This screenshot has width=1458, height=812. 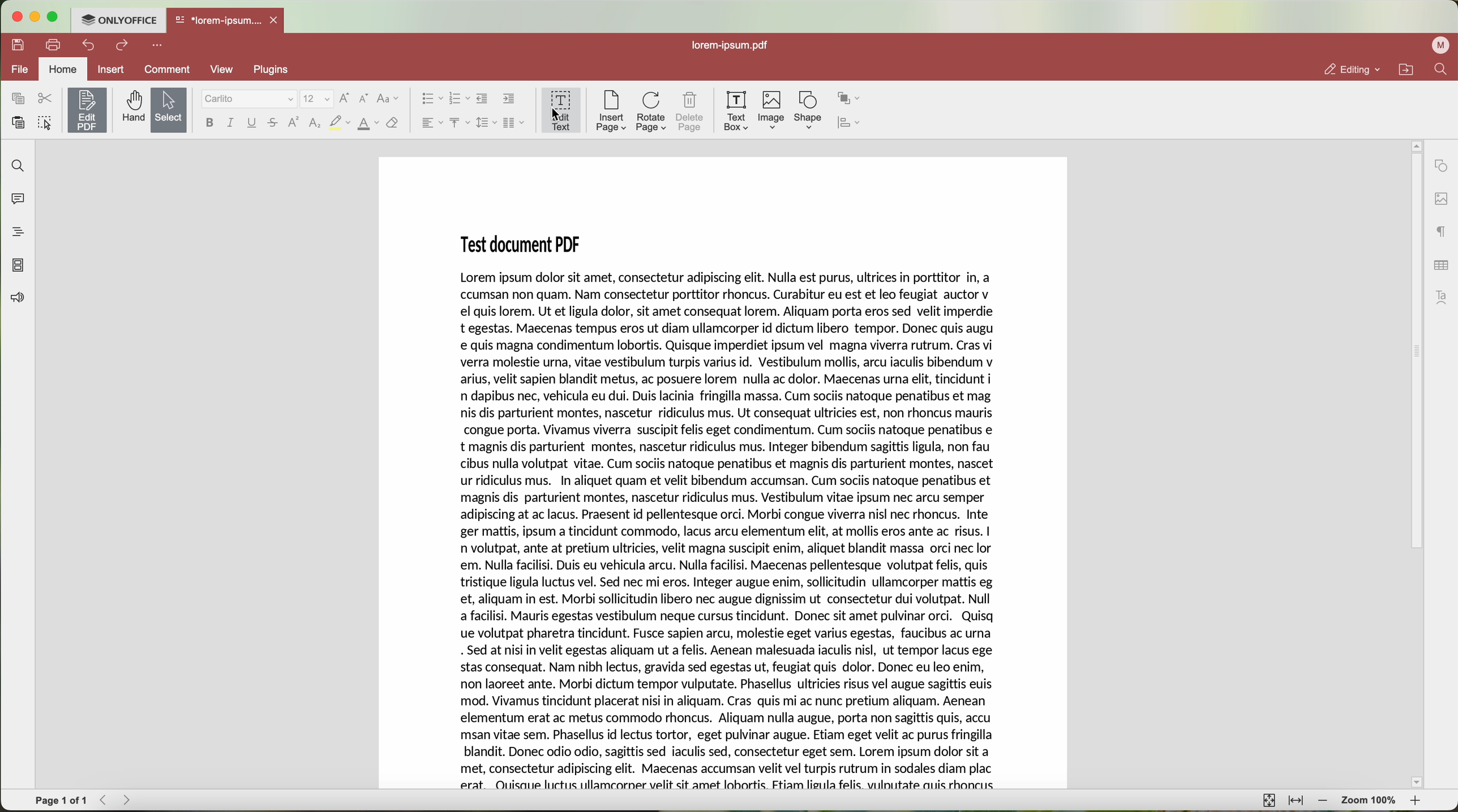 I want to click on minimize, so click(x=37, y=15).